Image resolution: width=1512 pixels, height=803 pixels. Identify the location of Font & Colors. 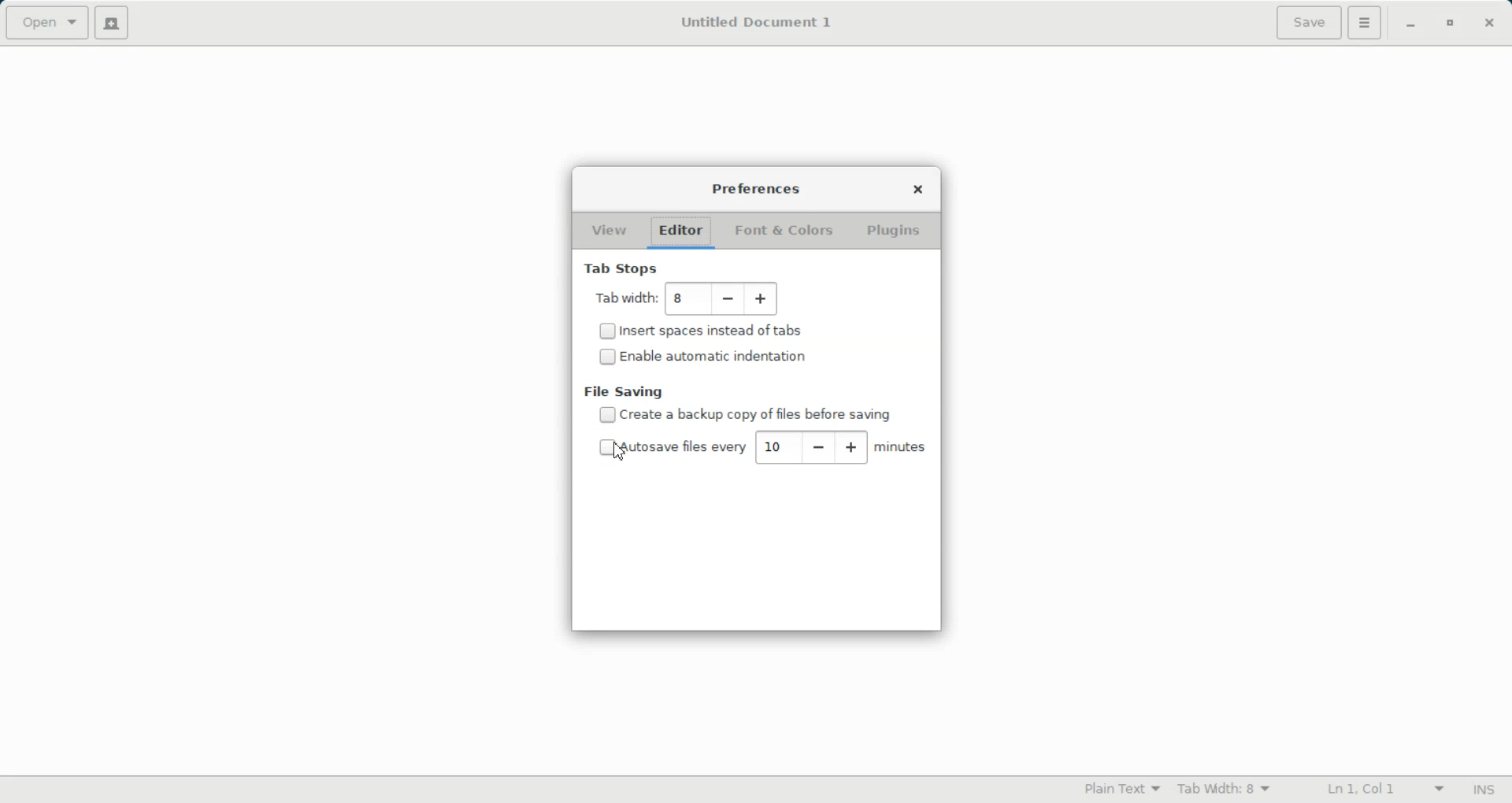
(782, 232).